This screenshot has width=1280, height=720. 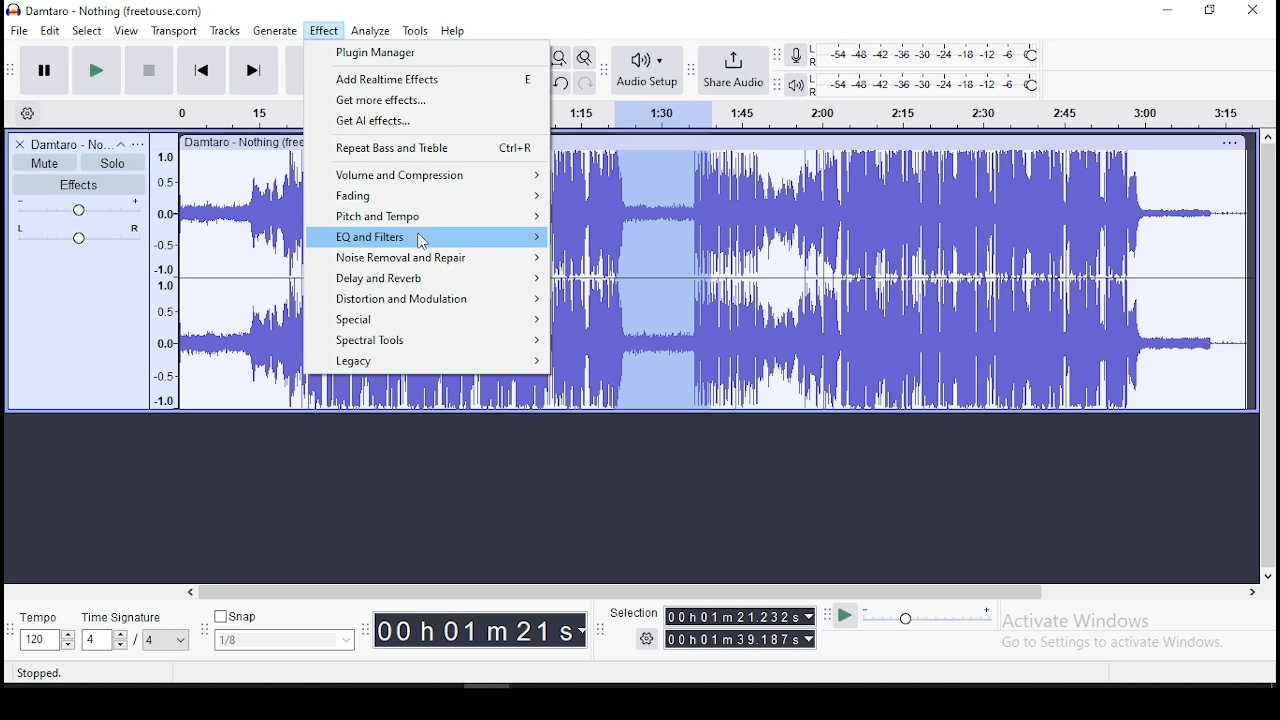 What do you see at coordinates (559, 83) in the screenshot?
I see `undo` at bounding box center [559, 83].